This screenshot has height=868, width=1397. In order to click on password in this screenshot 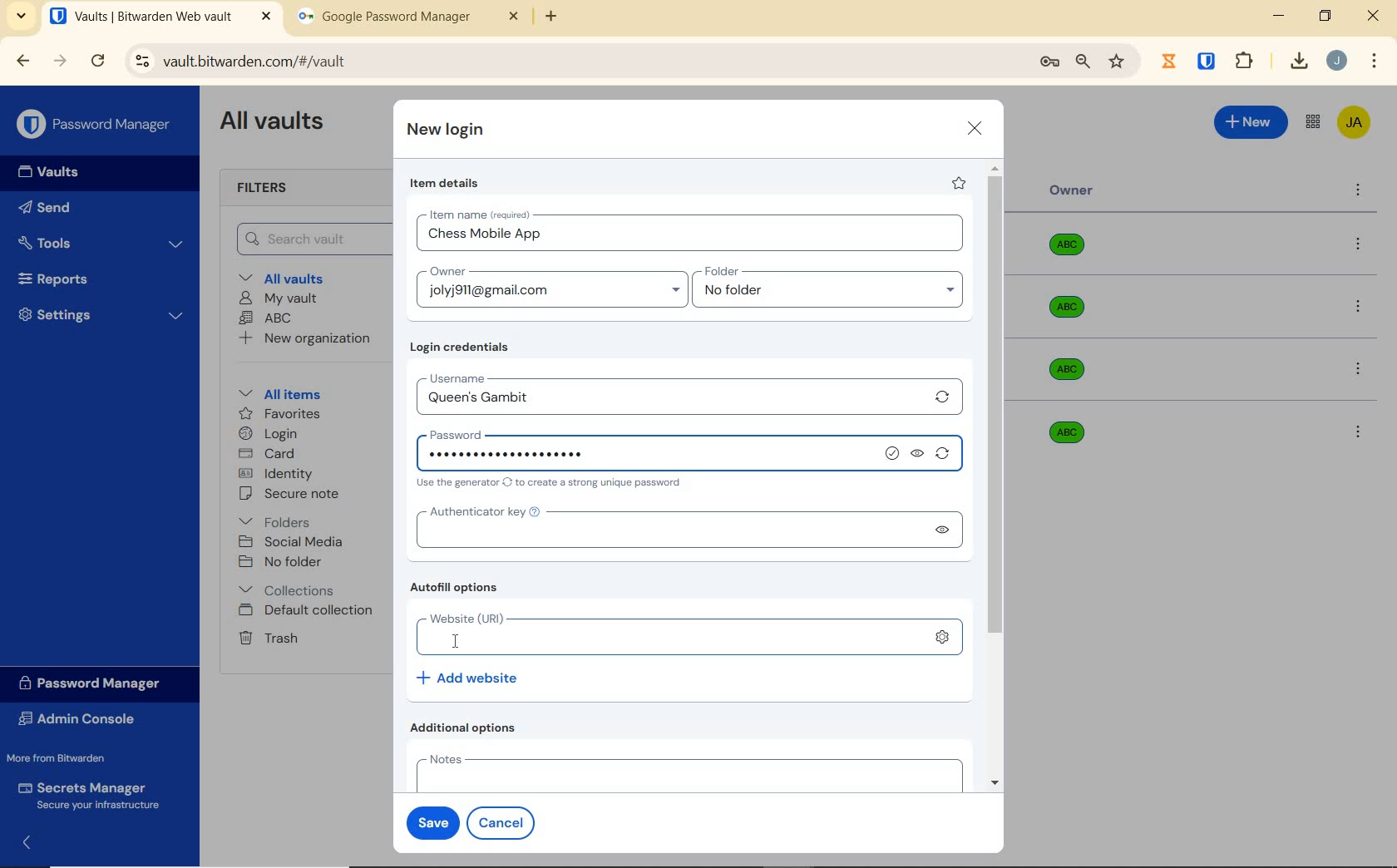, I will do `click(514, 432)`.